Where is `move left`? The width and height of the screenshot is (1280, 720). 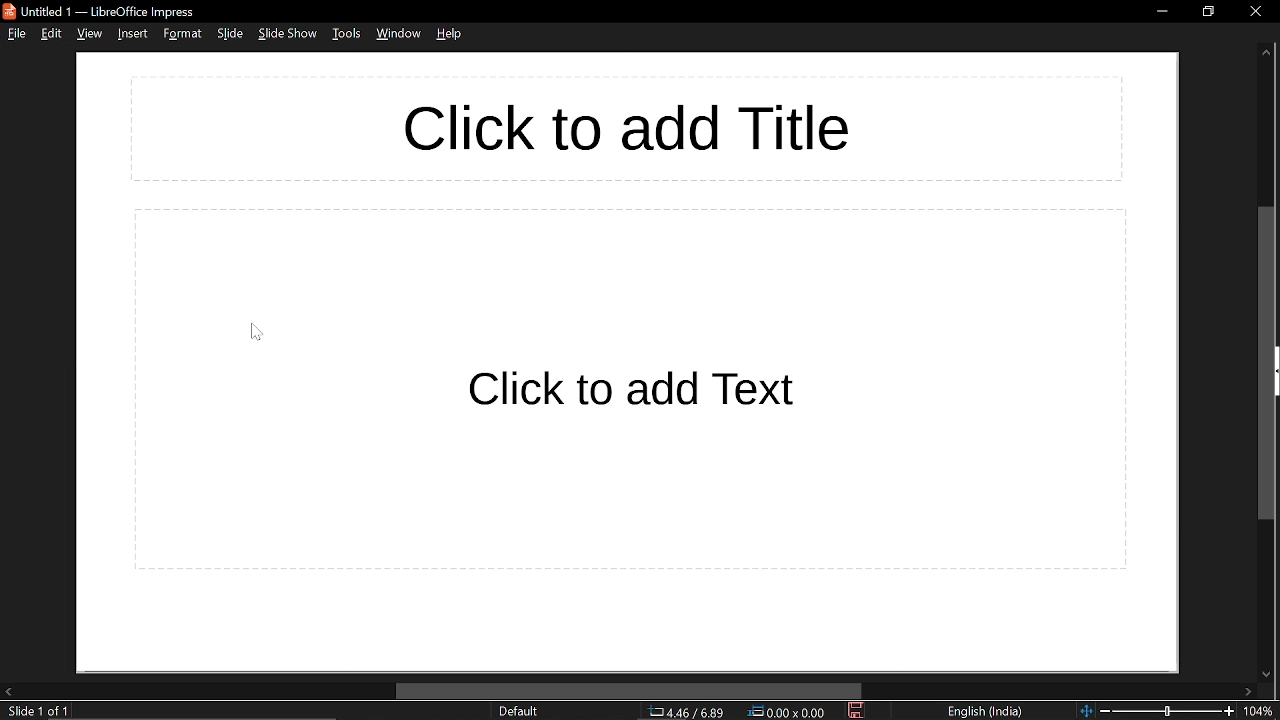
move left is located at coordinates (8, 692).